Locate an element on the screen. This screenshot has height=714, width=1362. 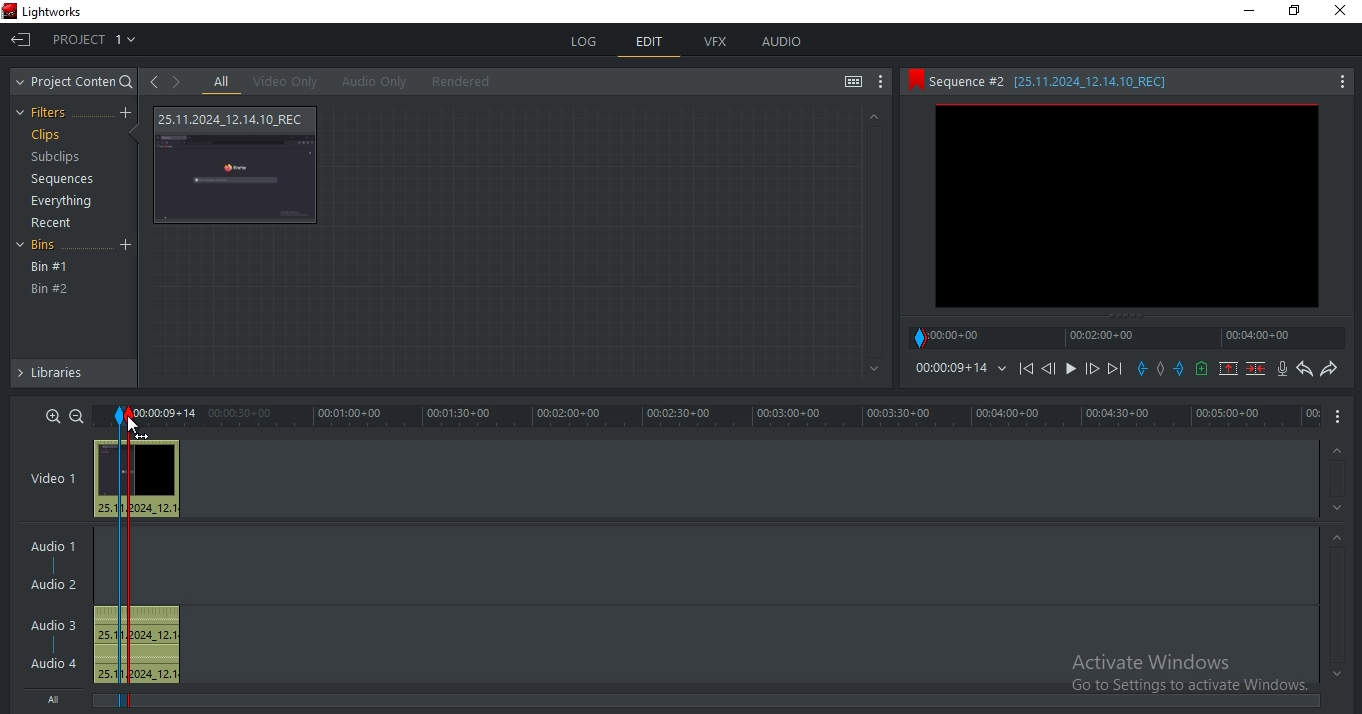
video is located at coordinates (138, 479).